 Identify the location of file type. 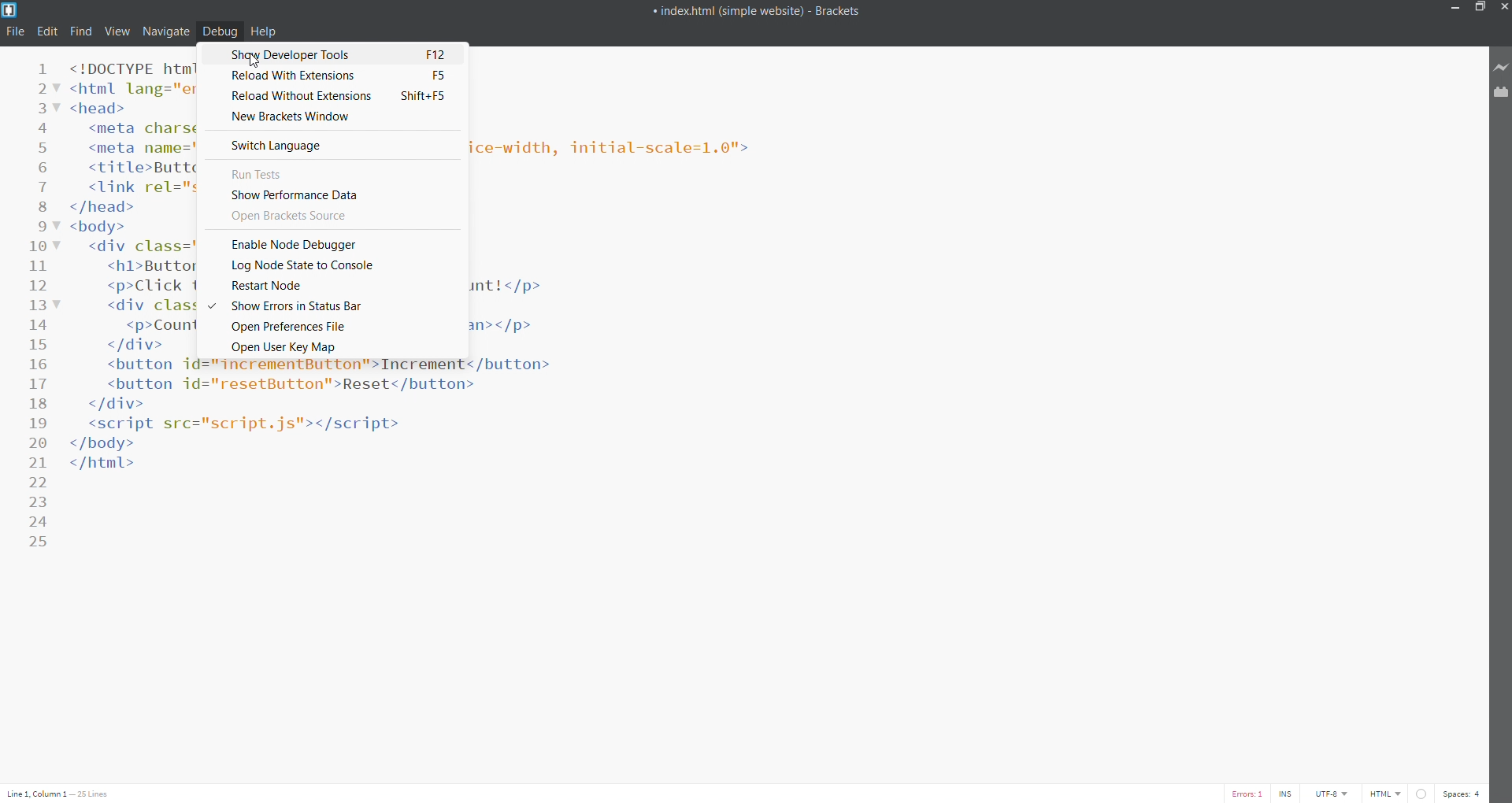
(1384, 794).